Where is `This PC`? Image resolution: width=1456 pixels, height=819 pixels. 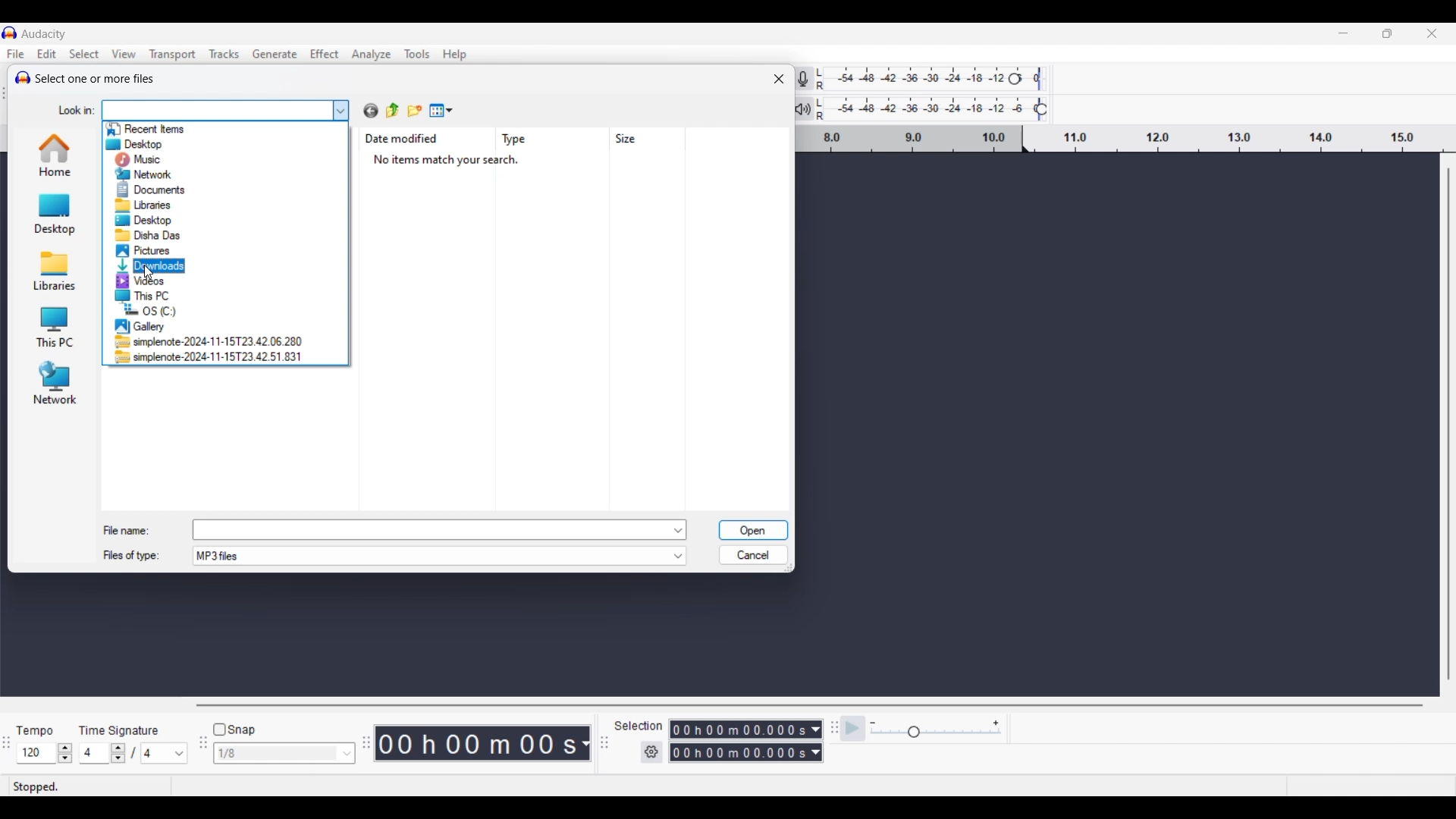
This PC is located at coordinates (150, 296).